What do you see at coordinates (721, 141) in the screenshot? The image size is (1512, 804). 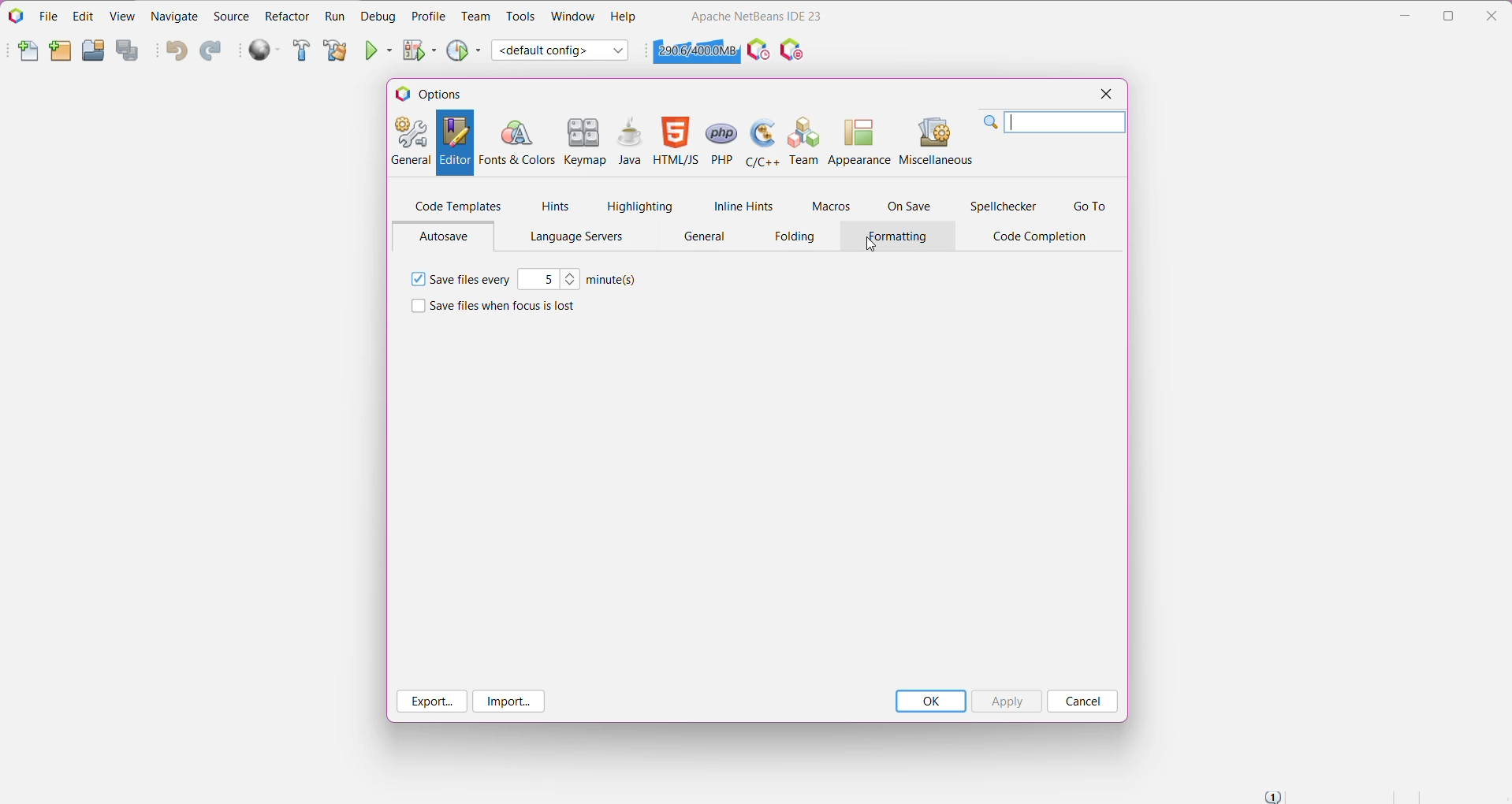 I see `PHP` at bounding box center [721, 141].